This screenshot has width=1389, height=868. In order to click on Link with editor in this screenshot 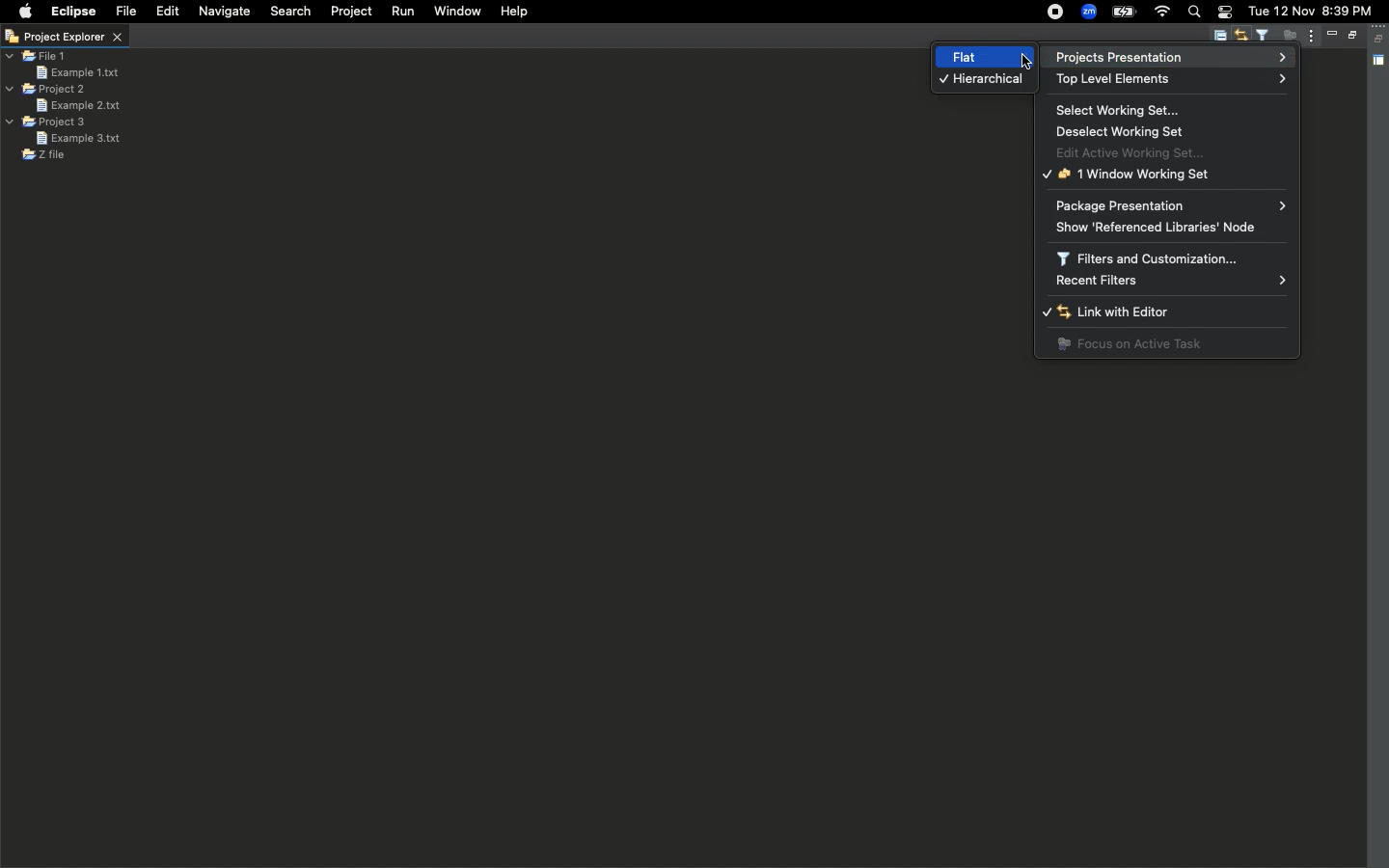, I will do `click(1243, 37)`.